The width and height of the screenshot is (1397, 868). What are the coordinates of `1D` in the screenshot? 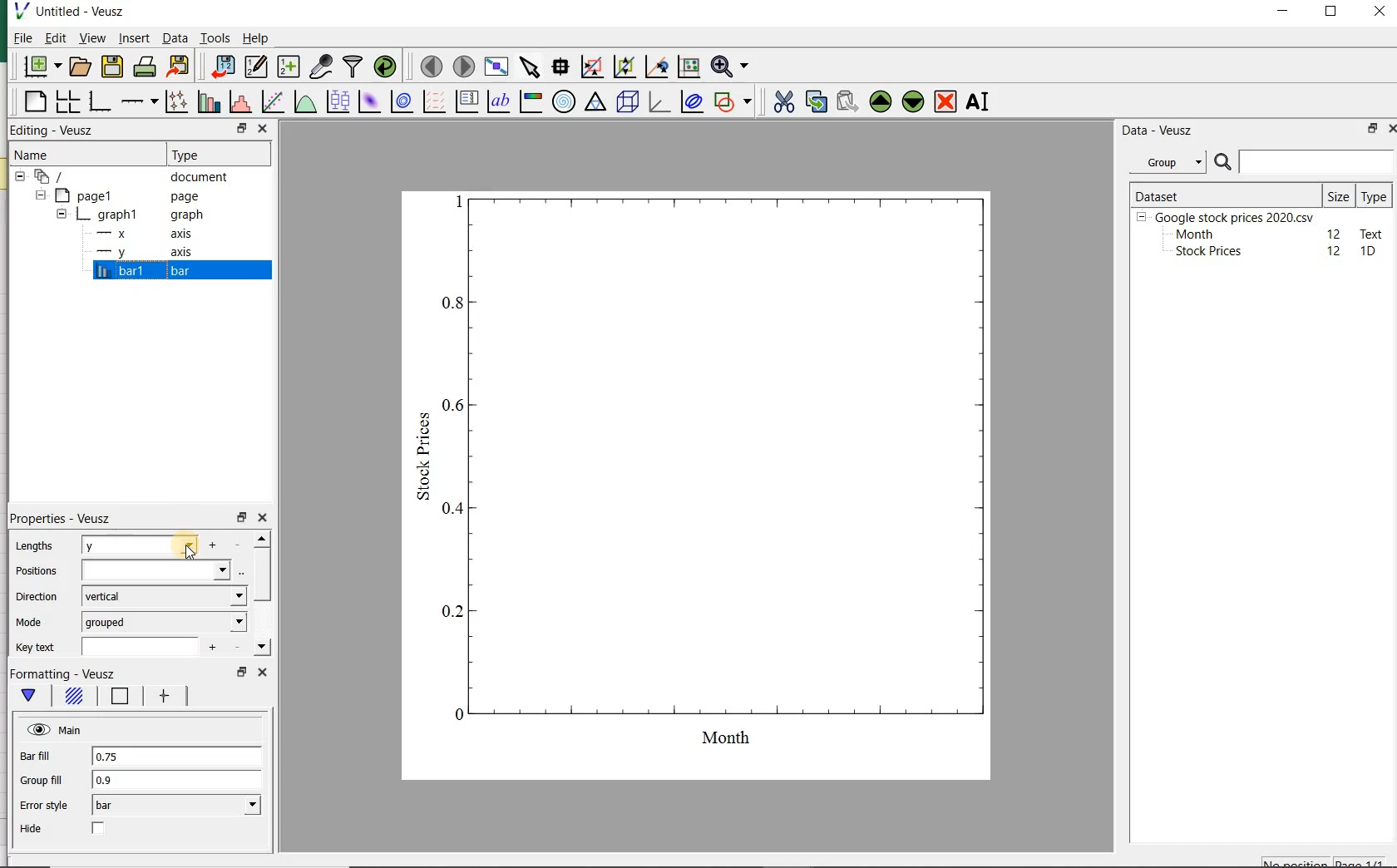 It's located at (1370, 252).